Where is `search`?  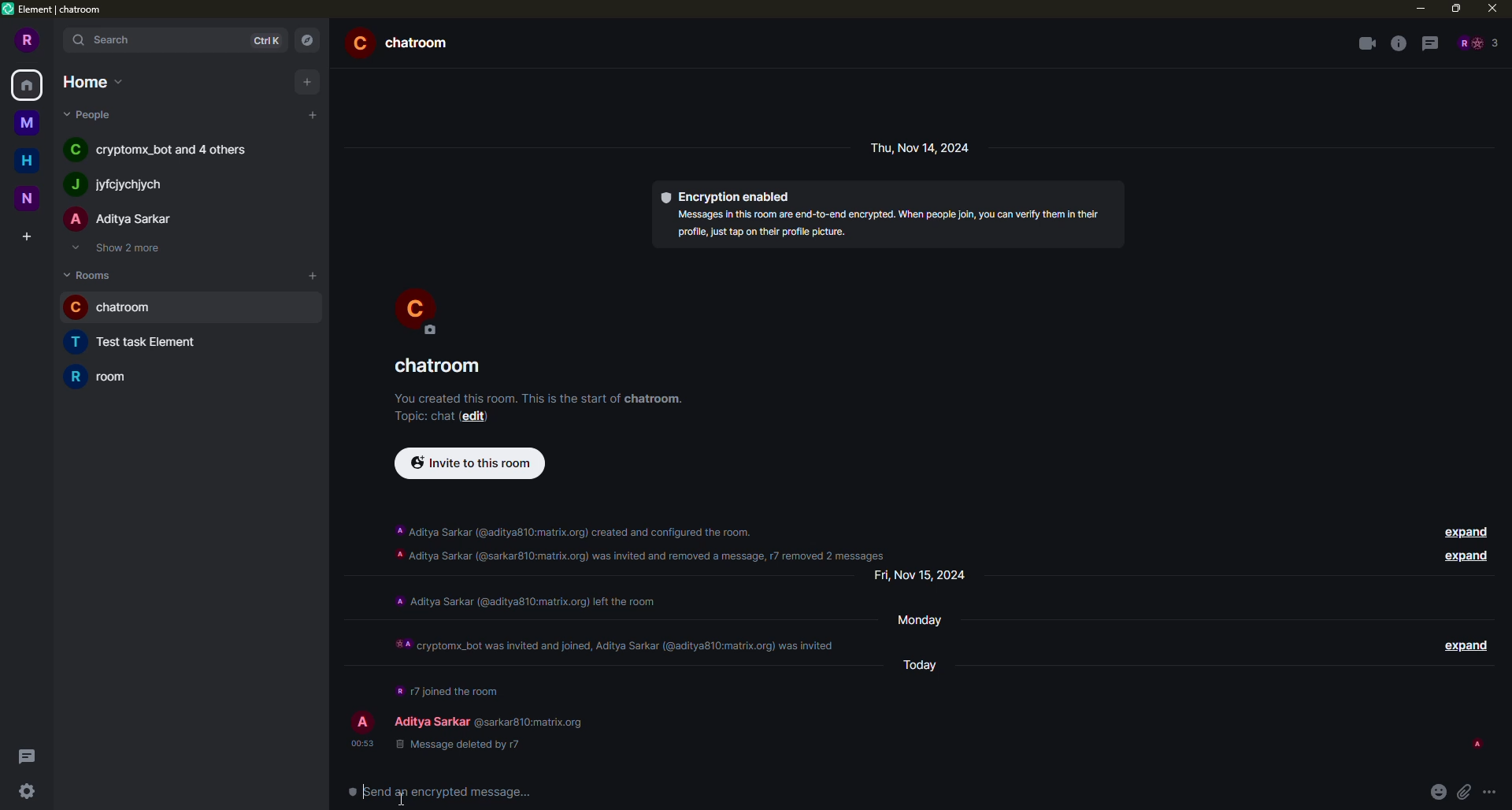
search is located at coordinates (104, 41).